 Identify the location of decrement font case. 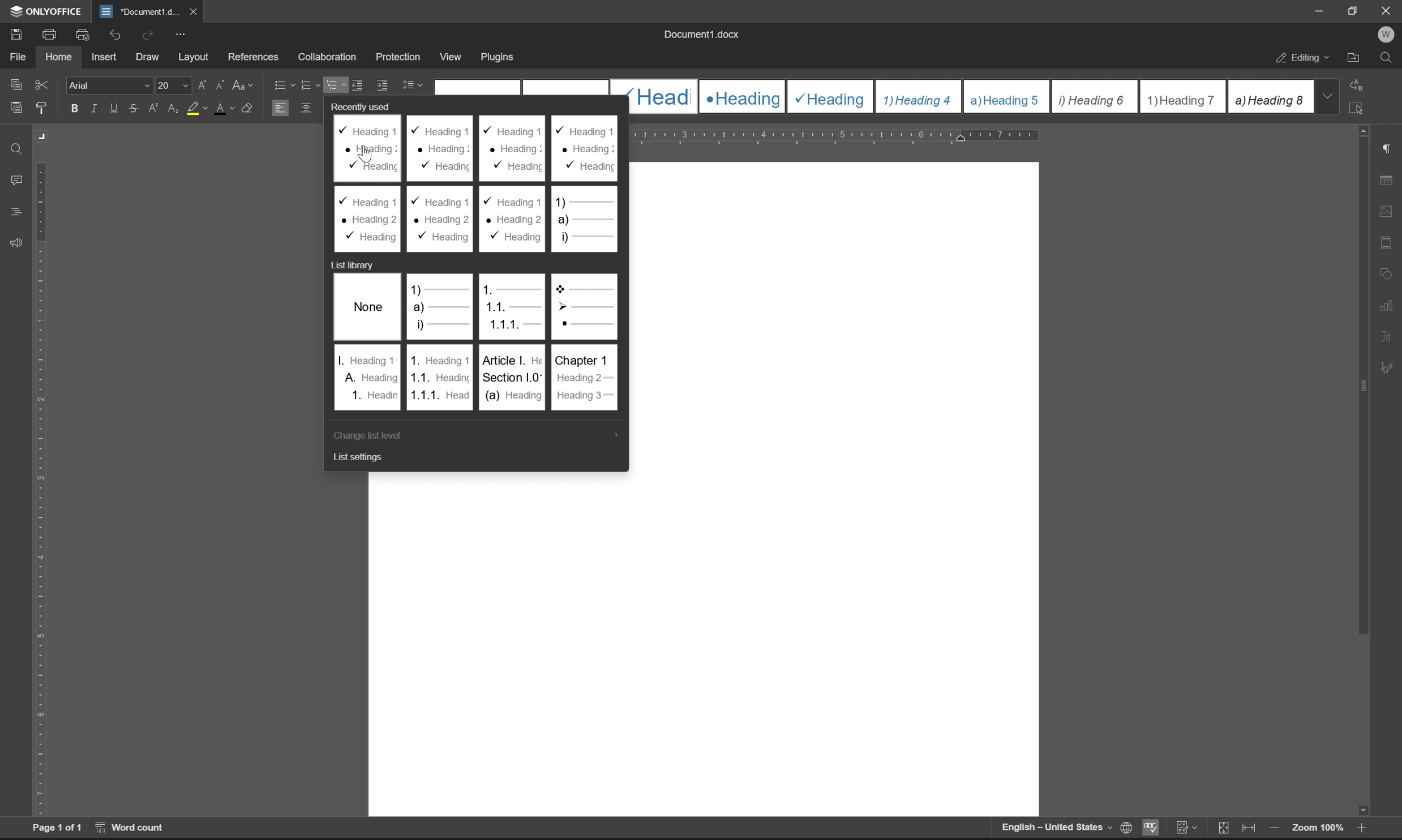
(217, 83).